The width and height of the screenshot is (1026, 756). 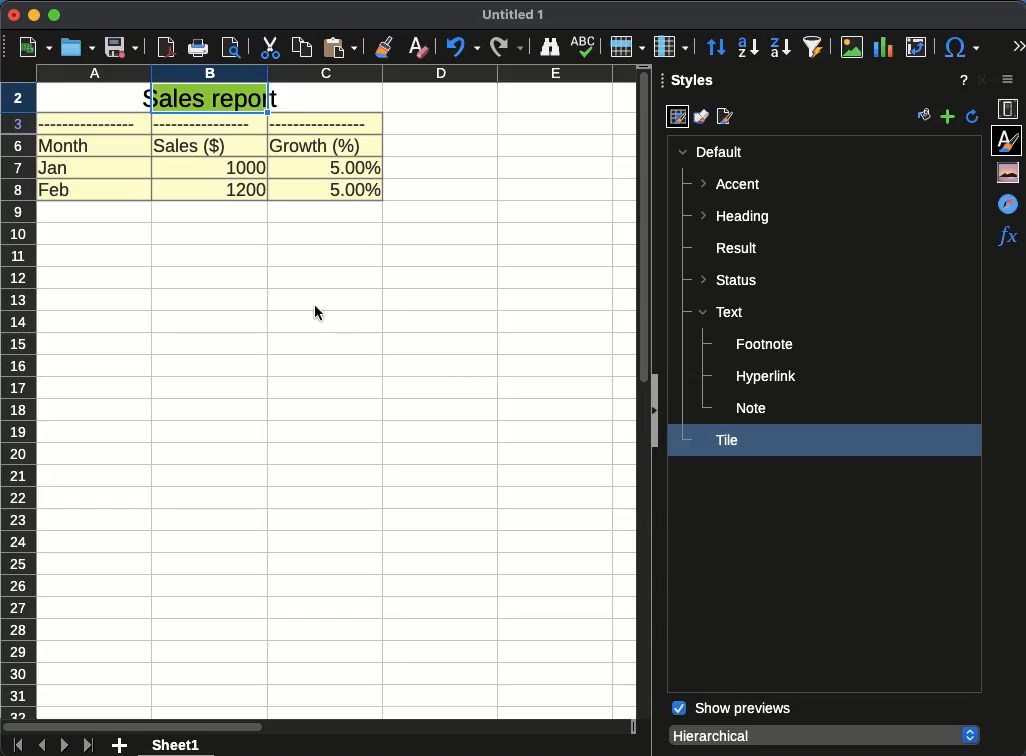 What do you see at coordinates (753, 408) in the screenshot?
I see `note` at bounding box center [753, 408].